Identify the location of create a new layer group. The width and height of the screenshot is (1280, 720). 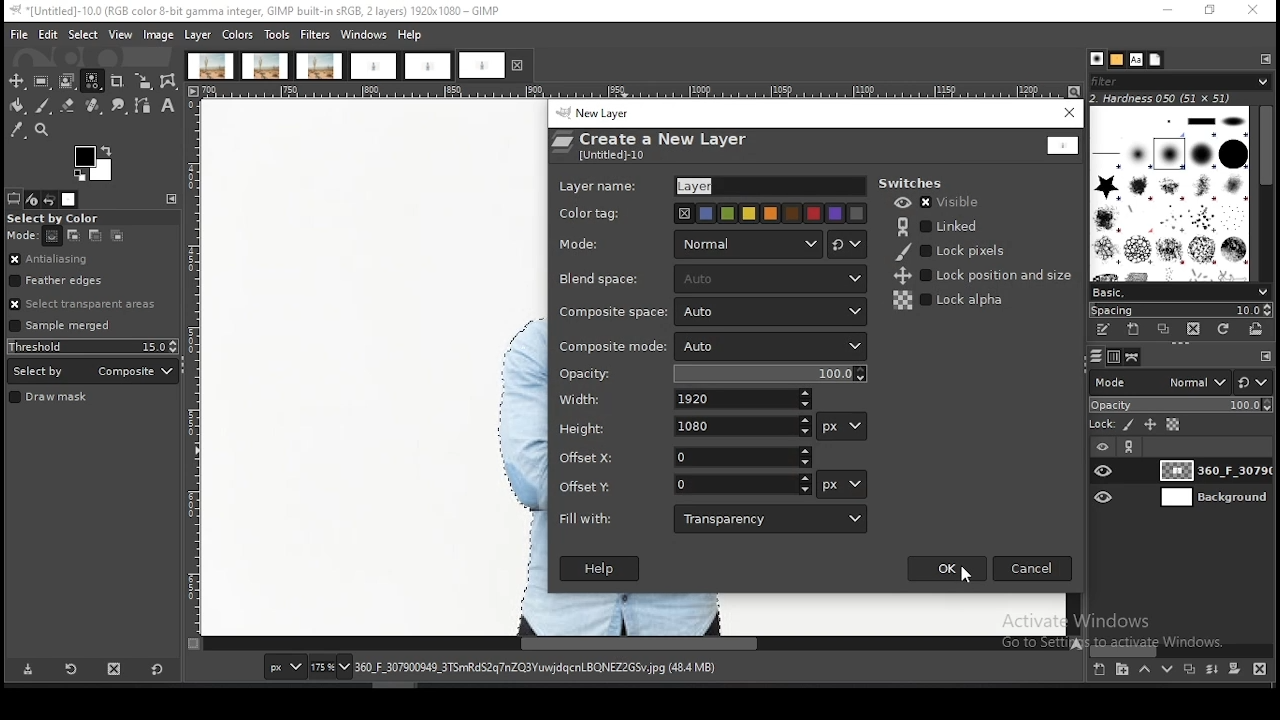
(1121, 668).